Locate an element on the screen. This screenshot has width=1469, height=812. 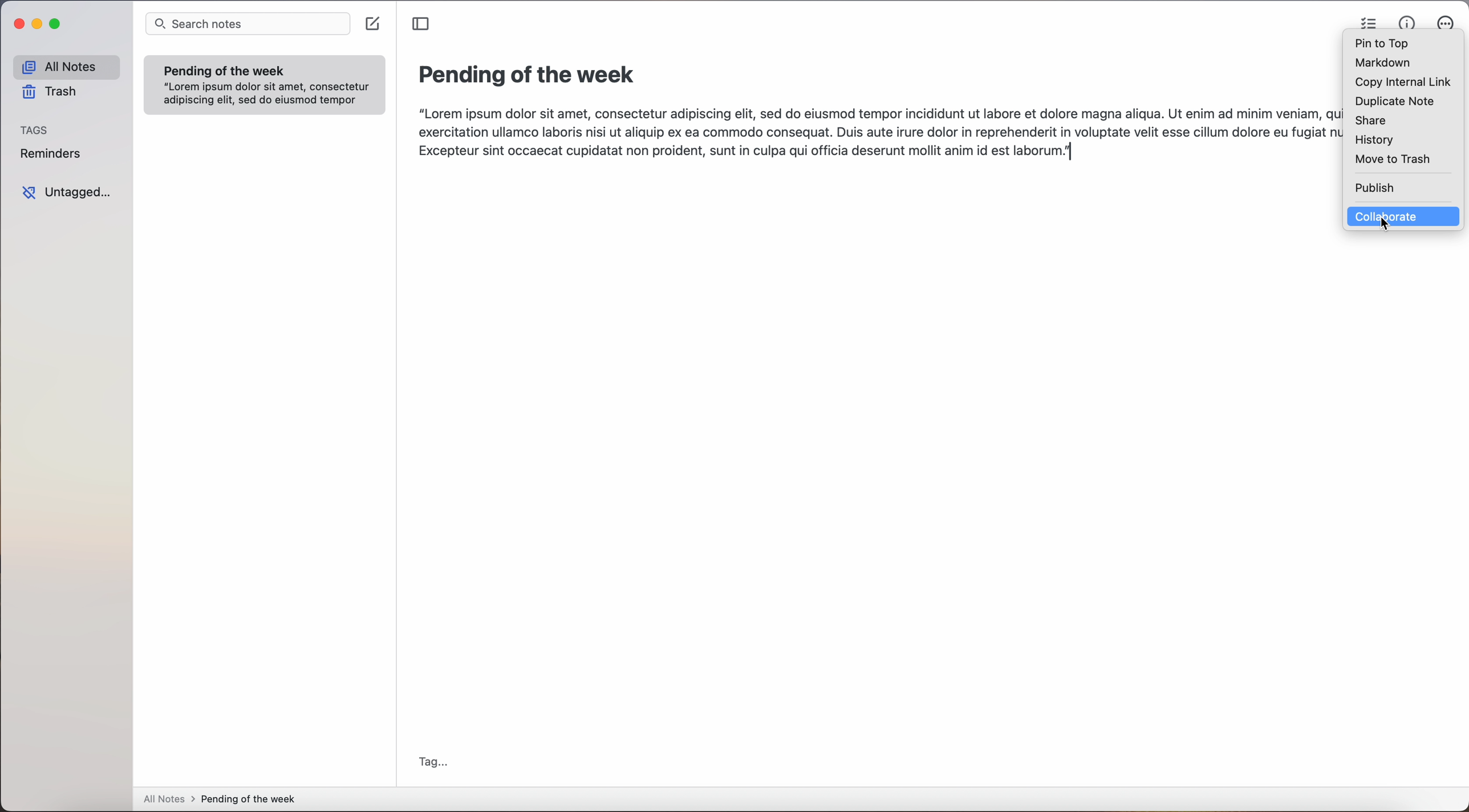
share is located at coordinates (1370, 121).